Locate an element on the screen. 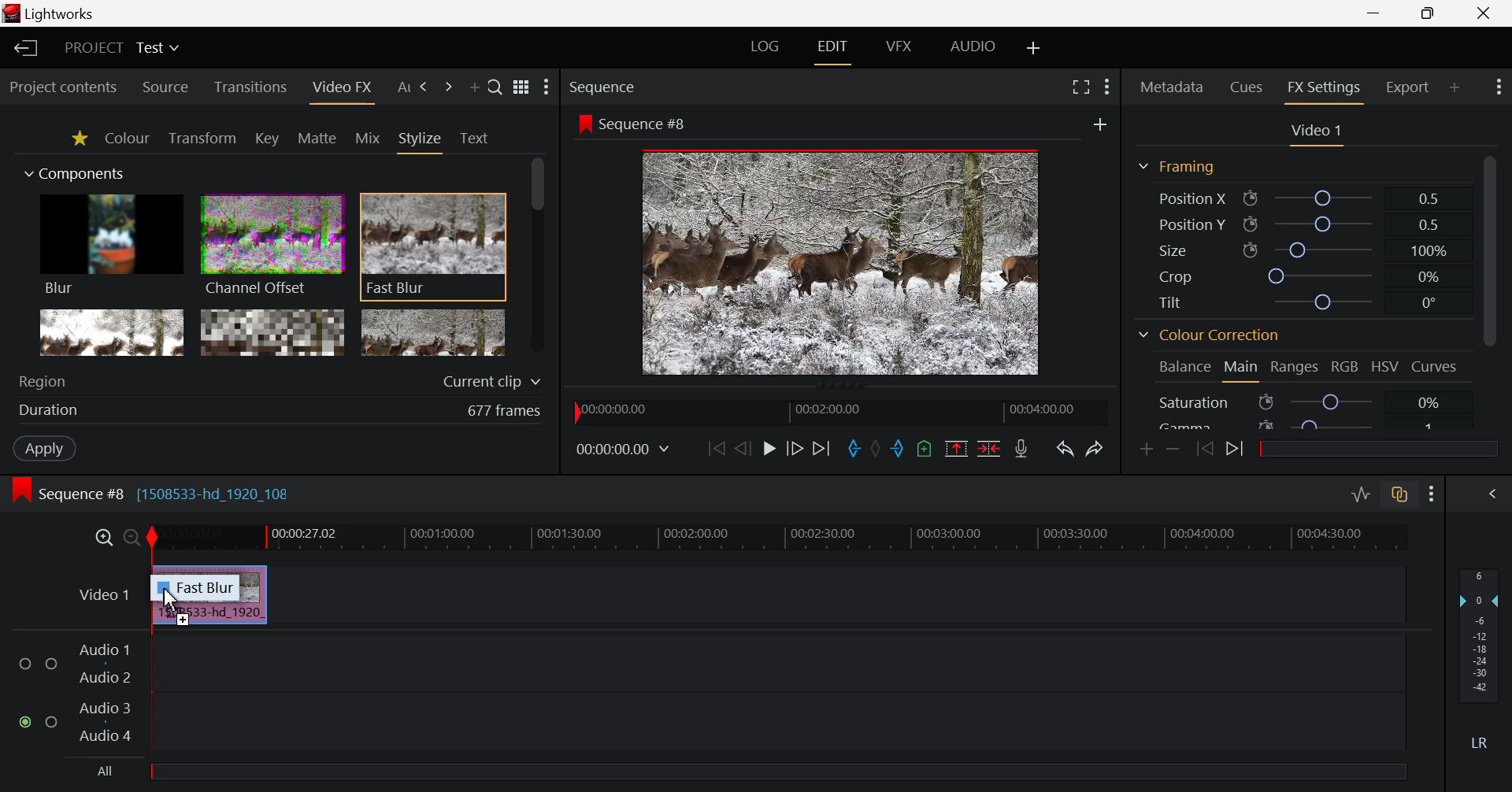  Previous Panel is located at coordinates (398, 87).